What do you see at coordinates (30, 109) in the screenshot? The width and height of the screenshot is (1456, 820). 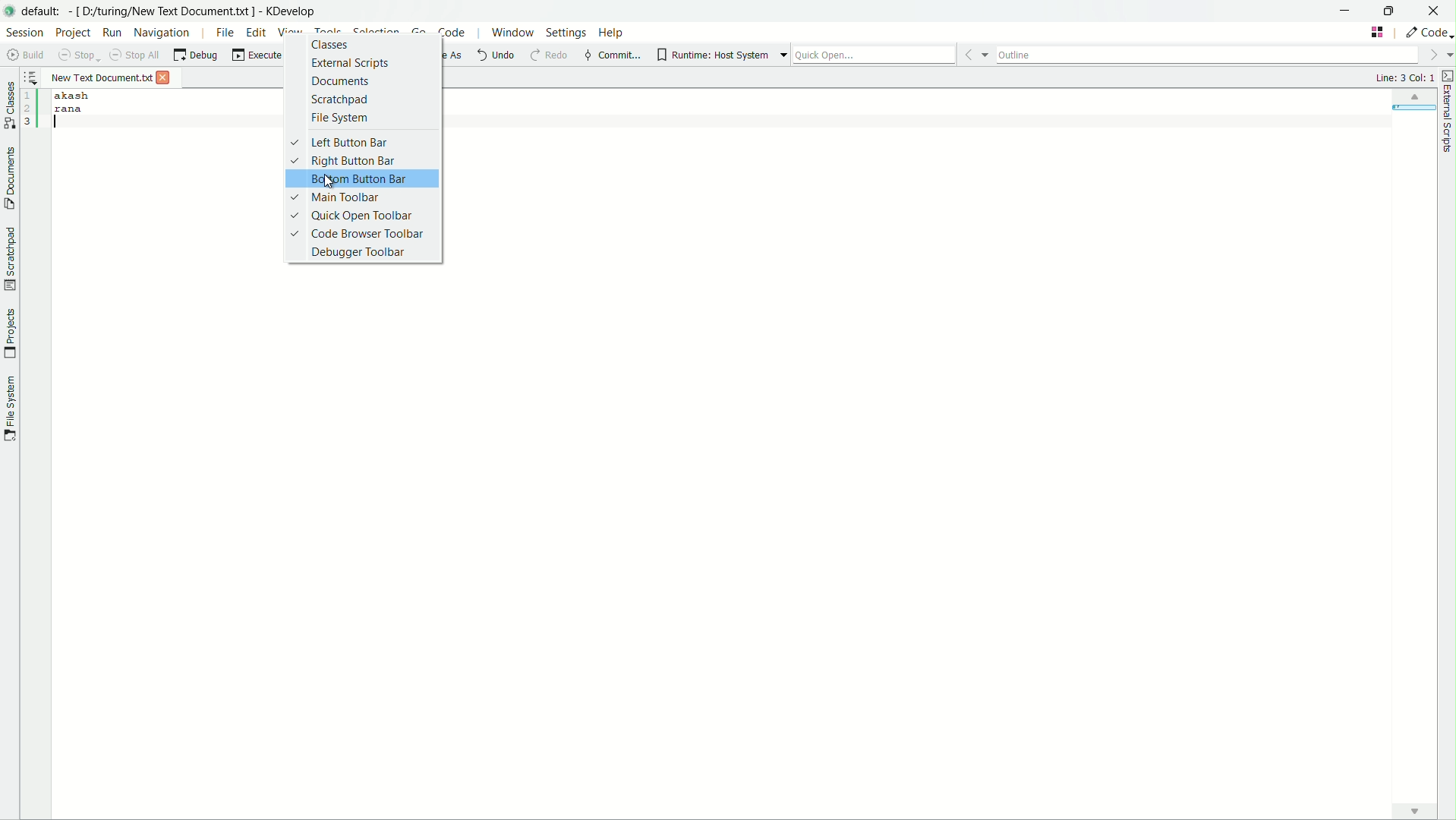 I see `line numbers` at bounding box center [30, 109].